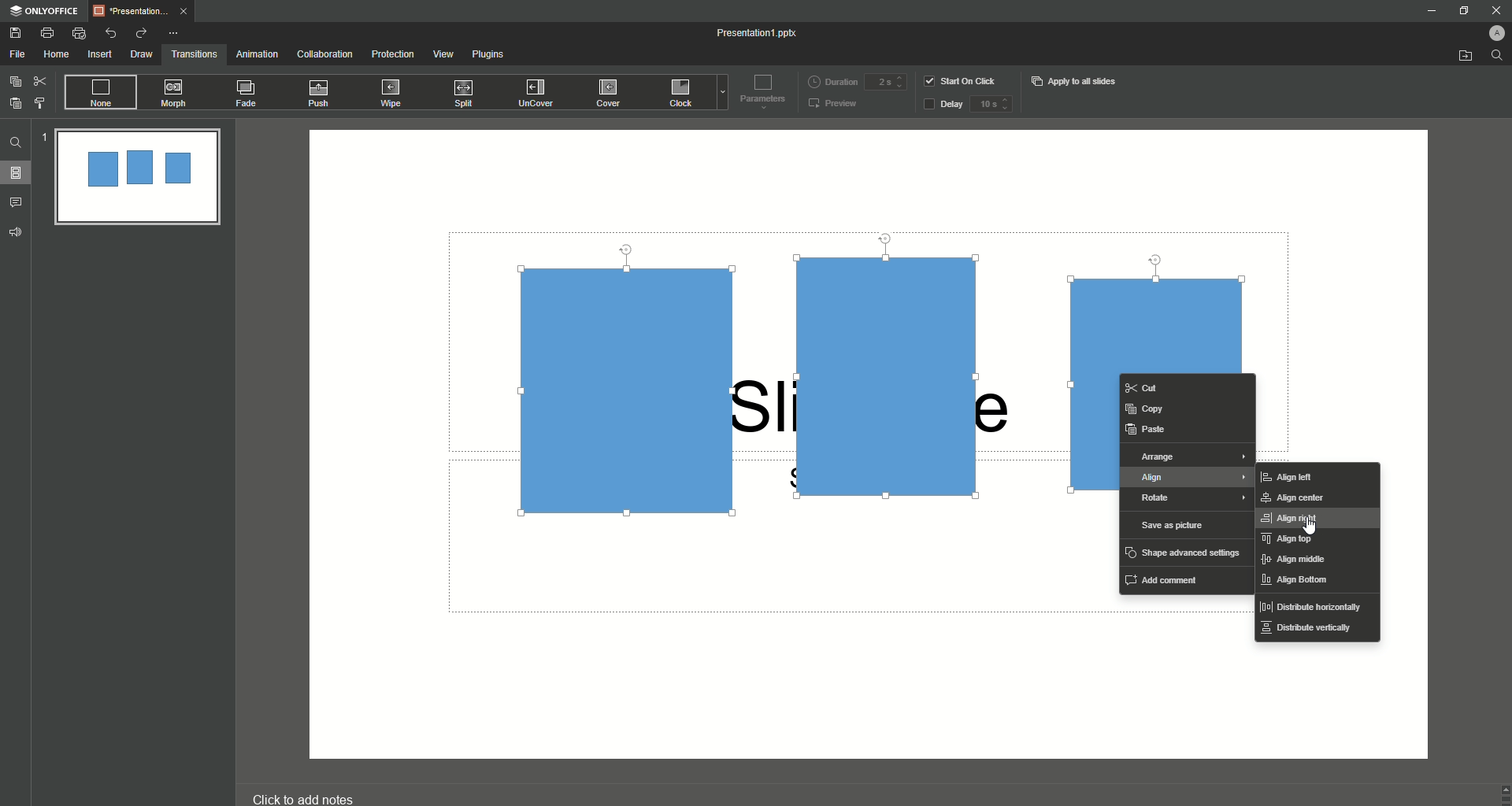 The image size is (1512, 806). Describe the element at coordinates (19, 201) in the screenshot. I see `Comments` at that location.